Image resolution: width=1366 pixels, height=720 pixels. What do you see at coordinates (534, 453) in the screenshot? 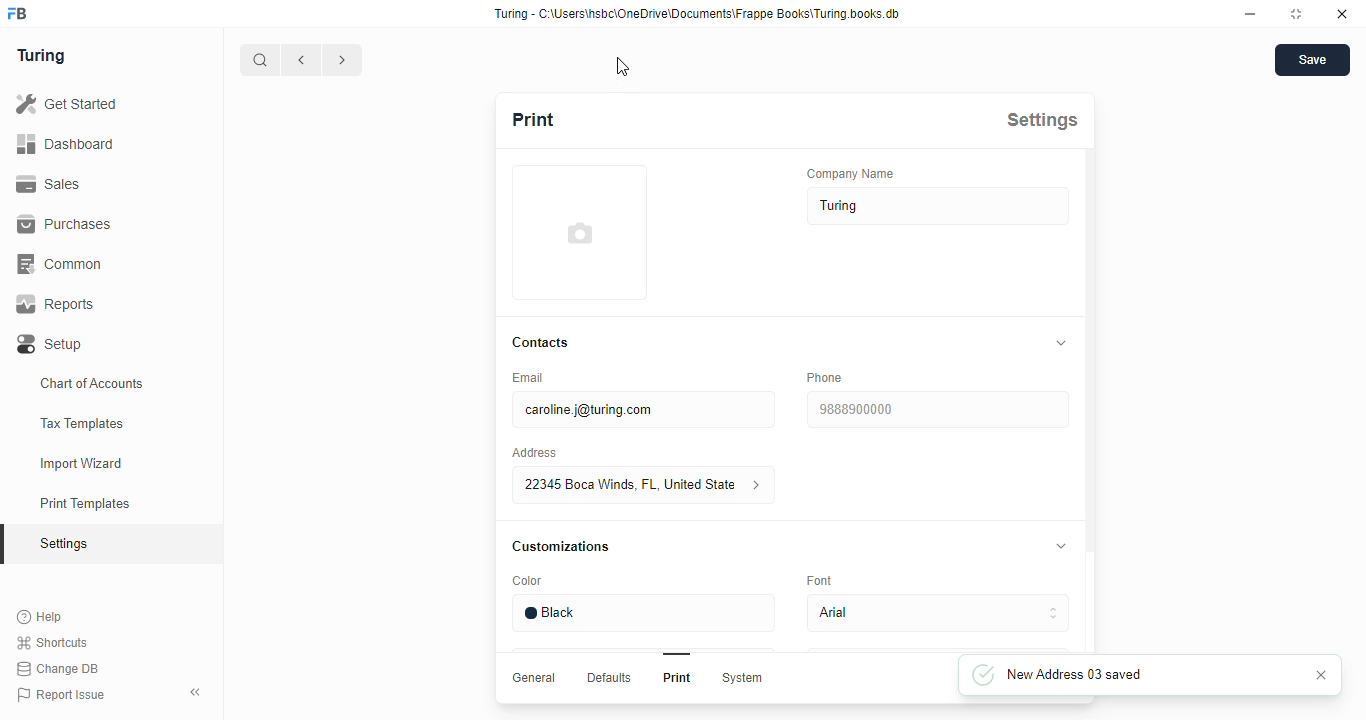
I see `address` at bounding box center [534, 453].